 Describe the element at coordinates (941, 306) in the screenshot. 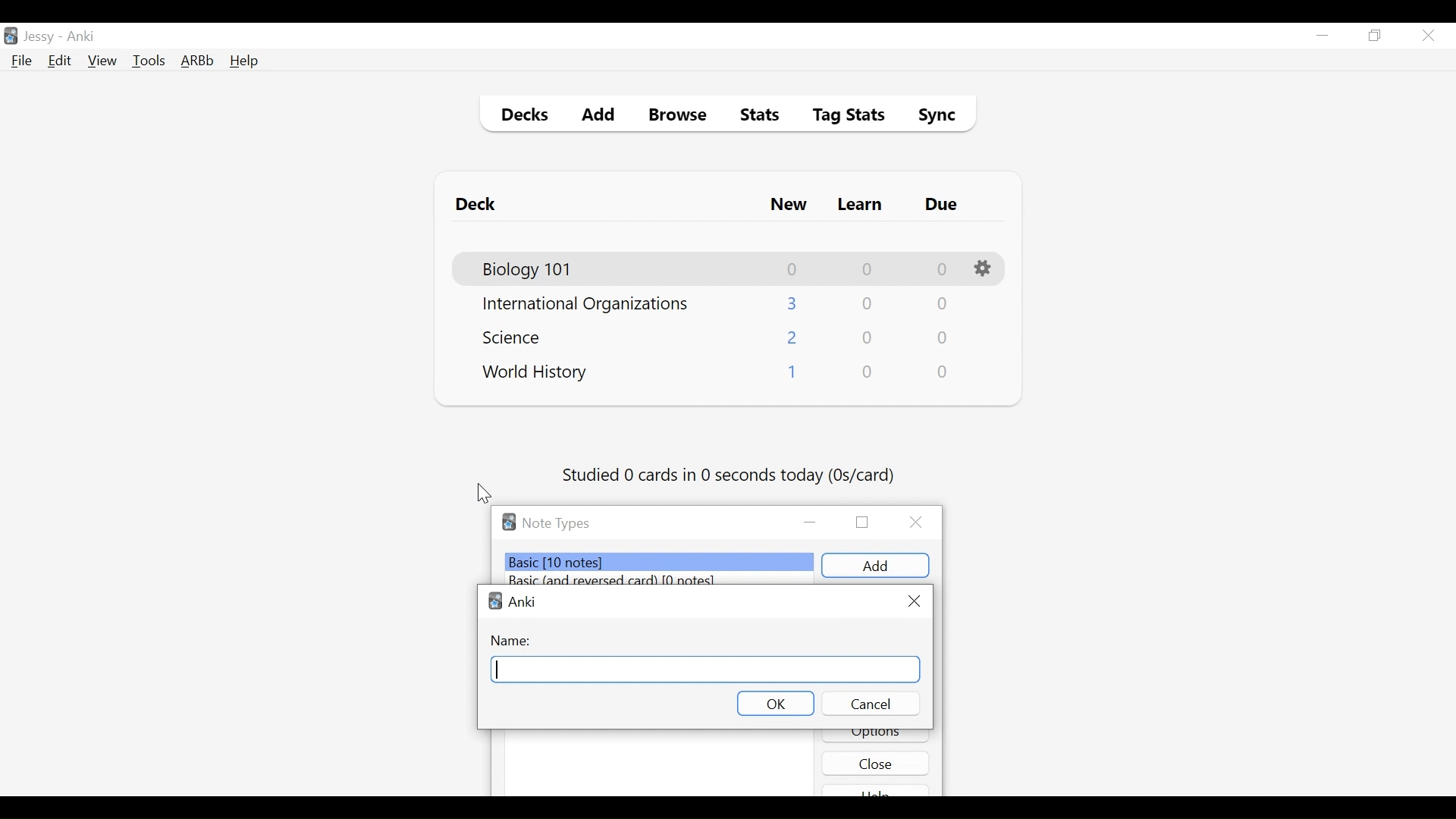

I see `Due Card Count` at that location.